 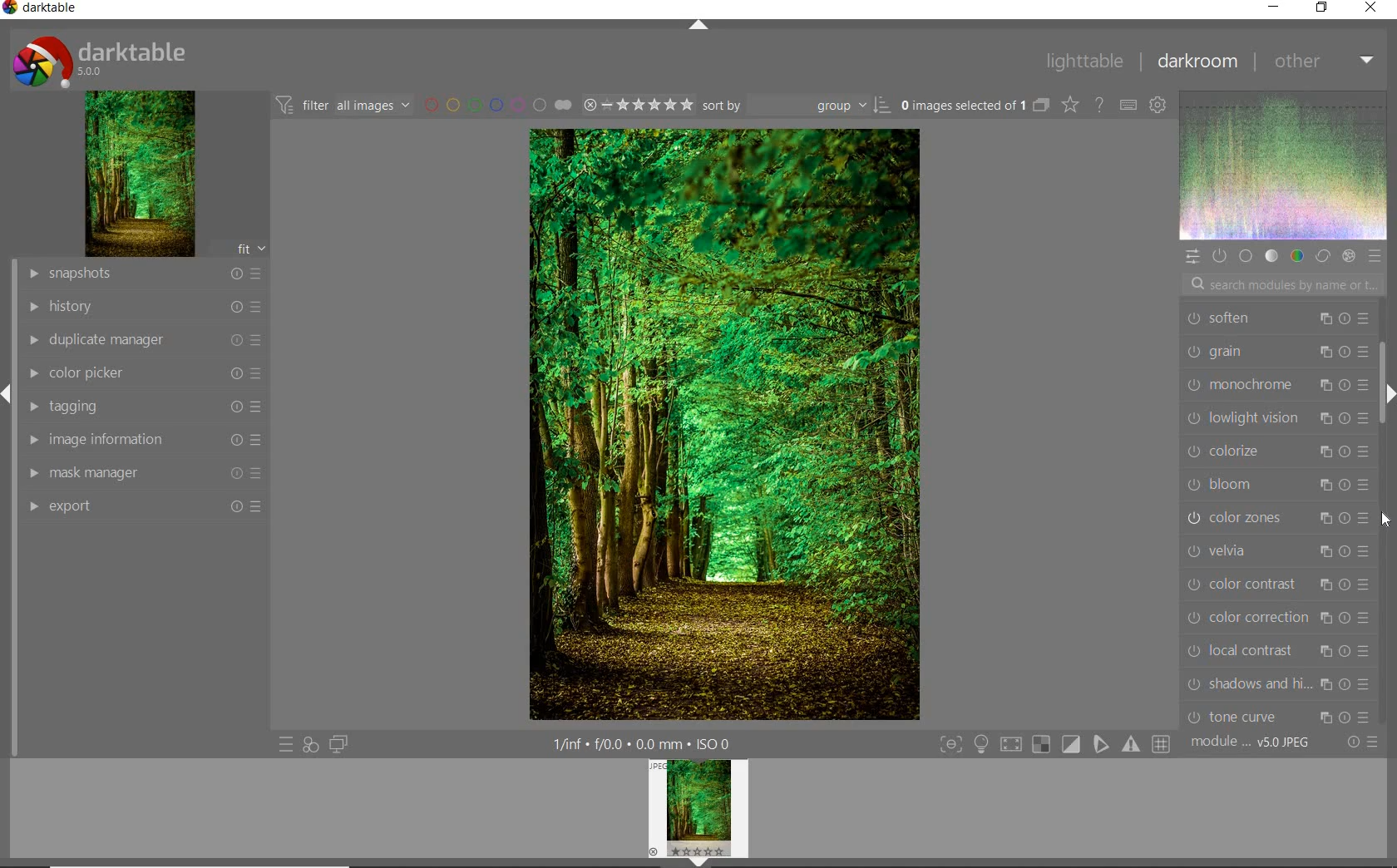 I want to click on ENABLE FOR ONLINE HELP, so click(x=1098, y=105).